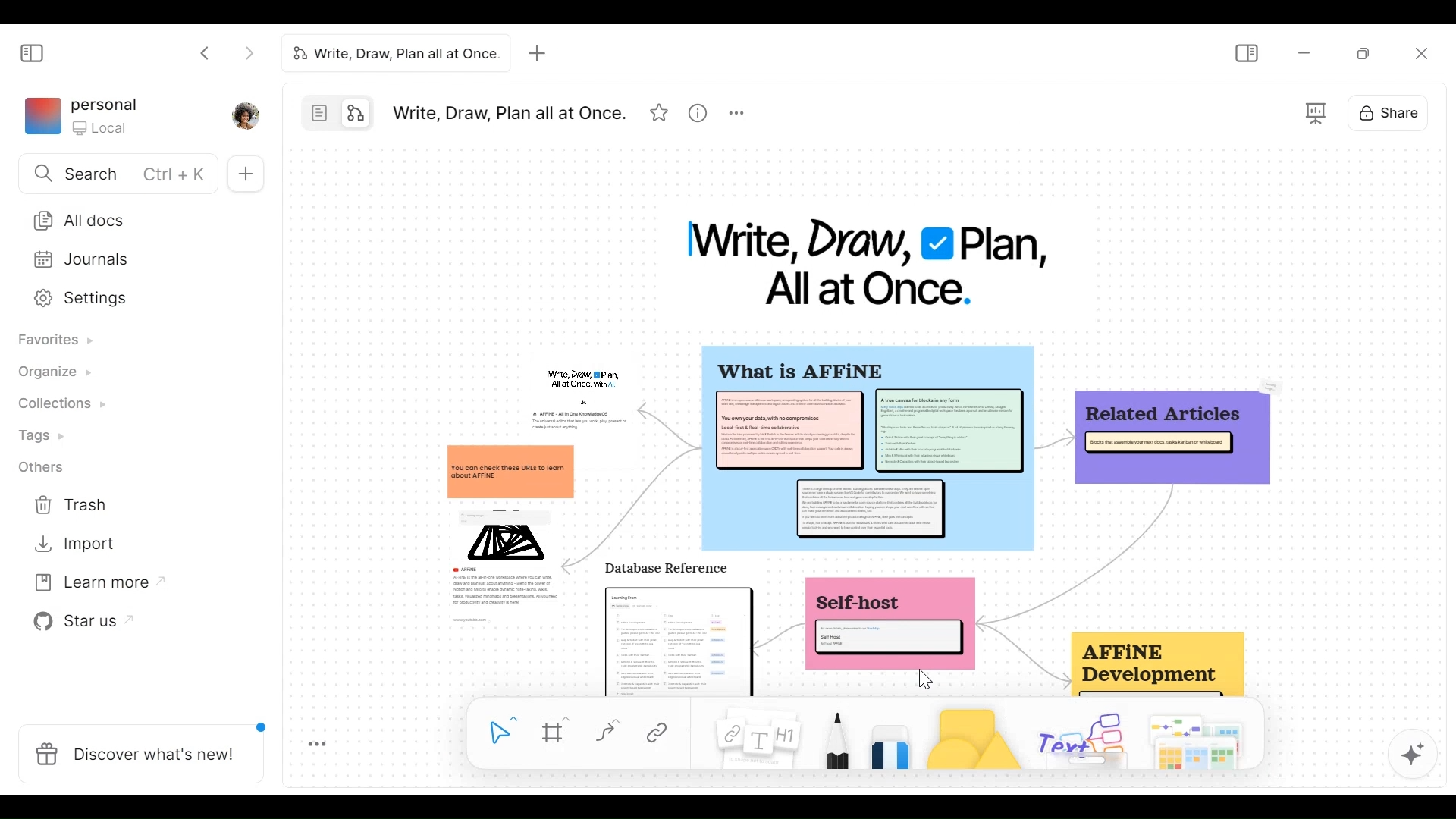 The image size is (1456, 819). I want to click on New Tab, so click(541, 55).